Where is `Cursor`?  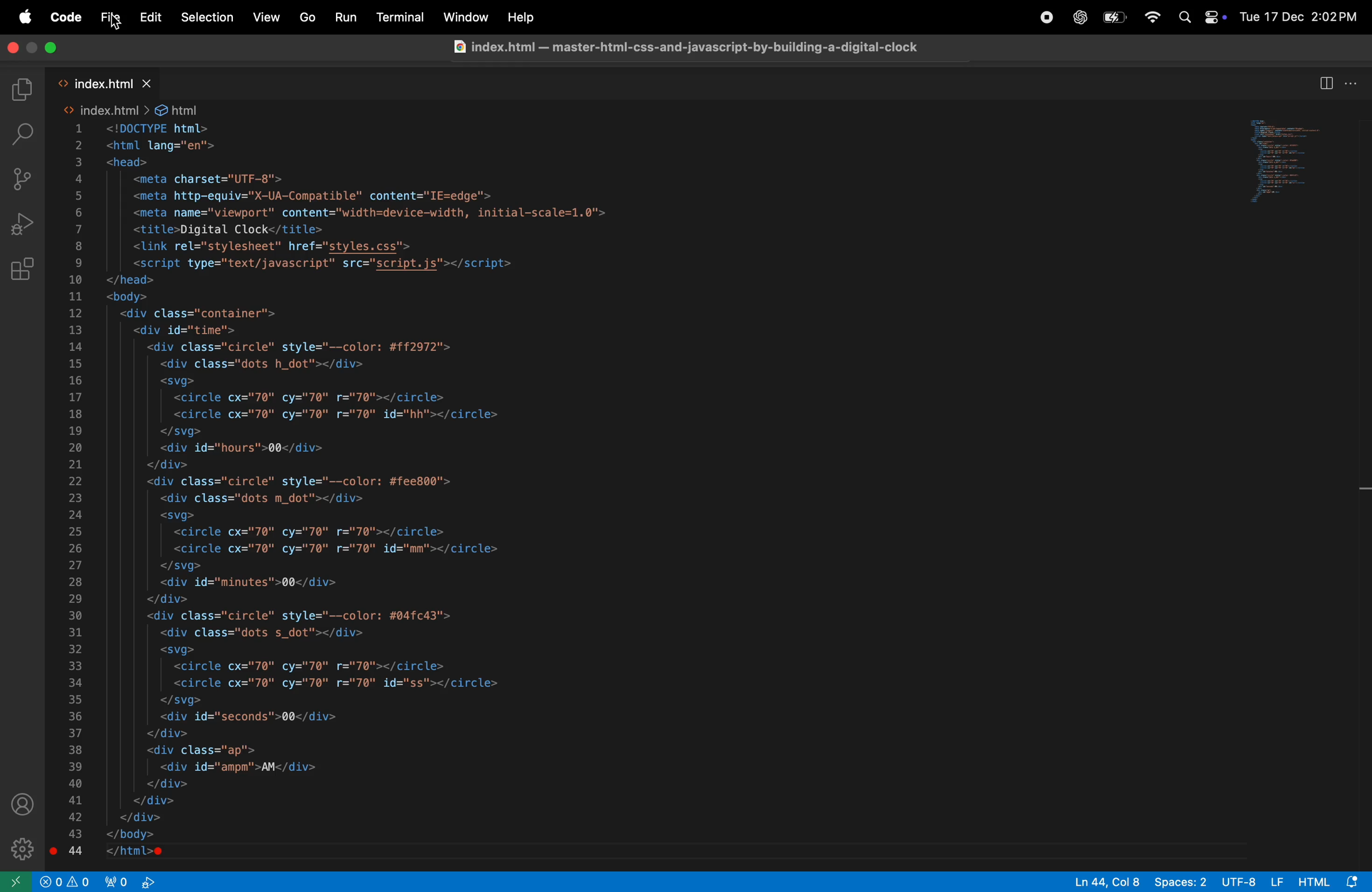 Cursor is located at coordinates (118, 27).